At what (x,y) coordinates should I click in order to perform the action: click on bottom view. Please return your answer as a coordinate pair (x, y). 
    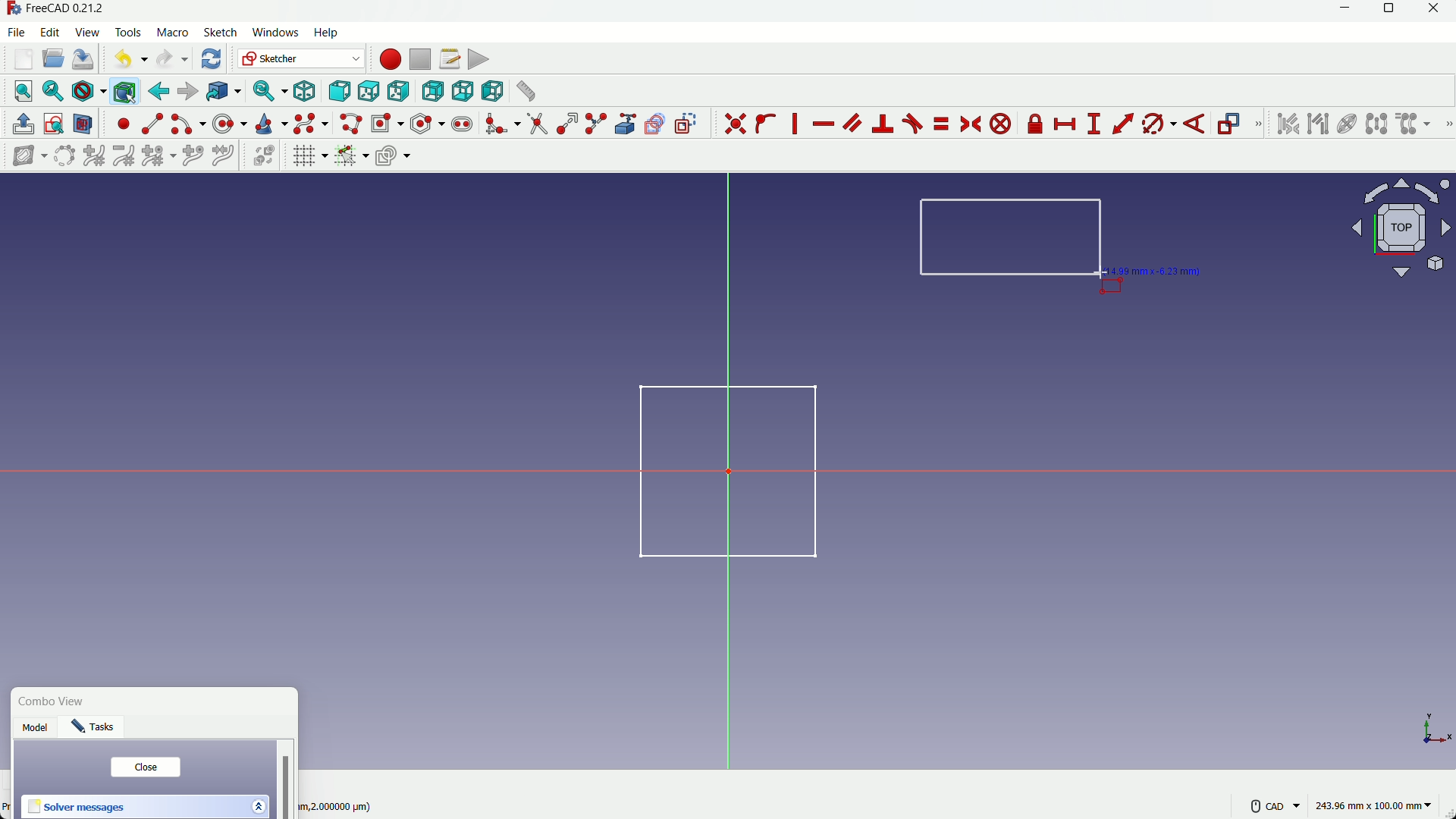
    Looking at the image, I should click on (462, 91).